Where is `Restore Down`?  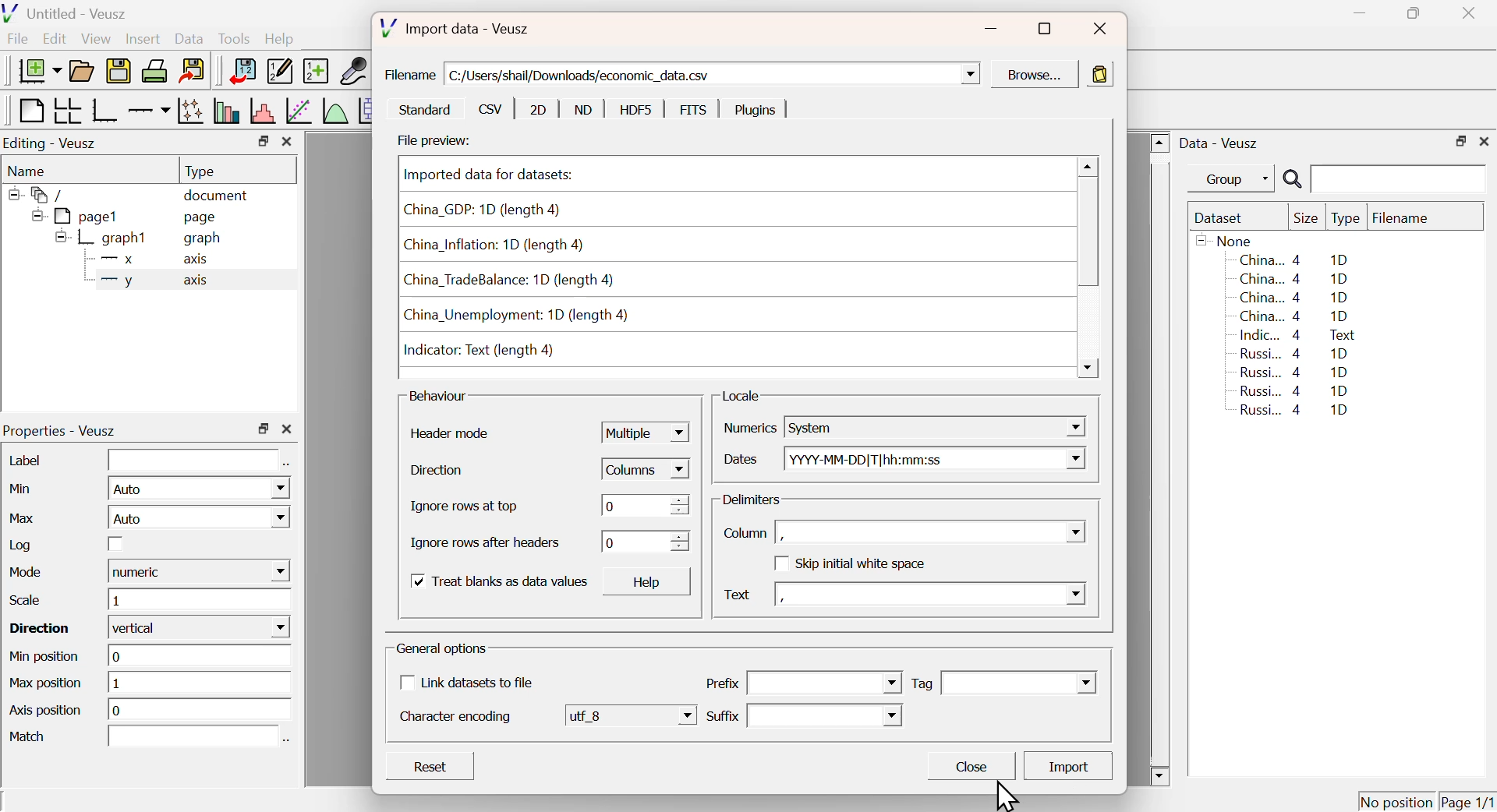
Restore Down is located at coordinates (1460, 142).